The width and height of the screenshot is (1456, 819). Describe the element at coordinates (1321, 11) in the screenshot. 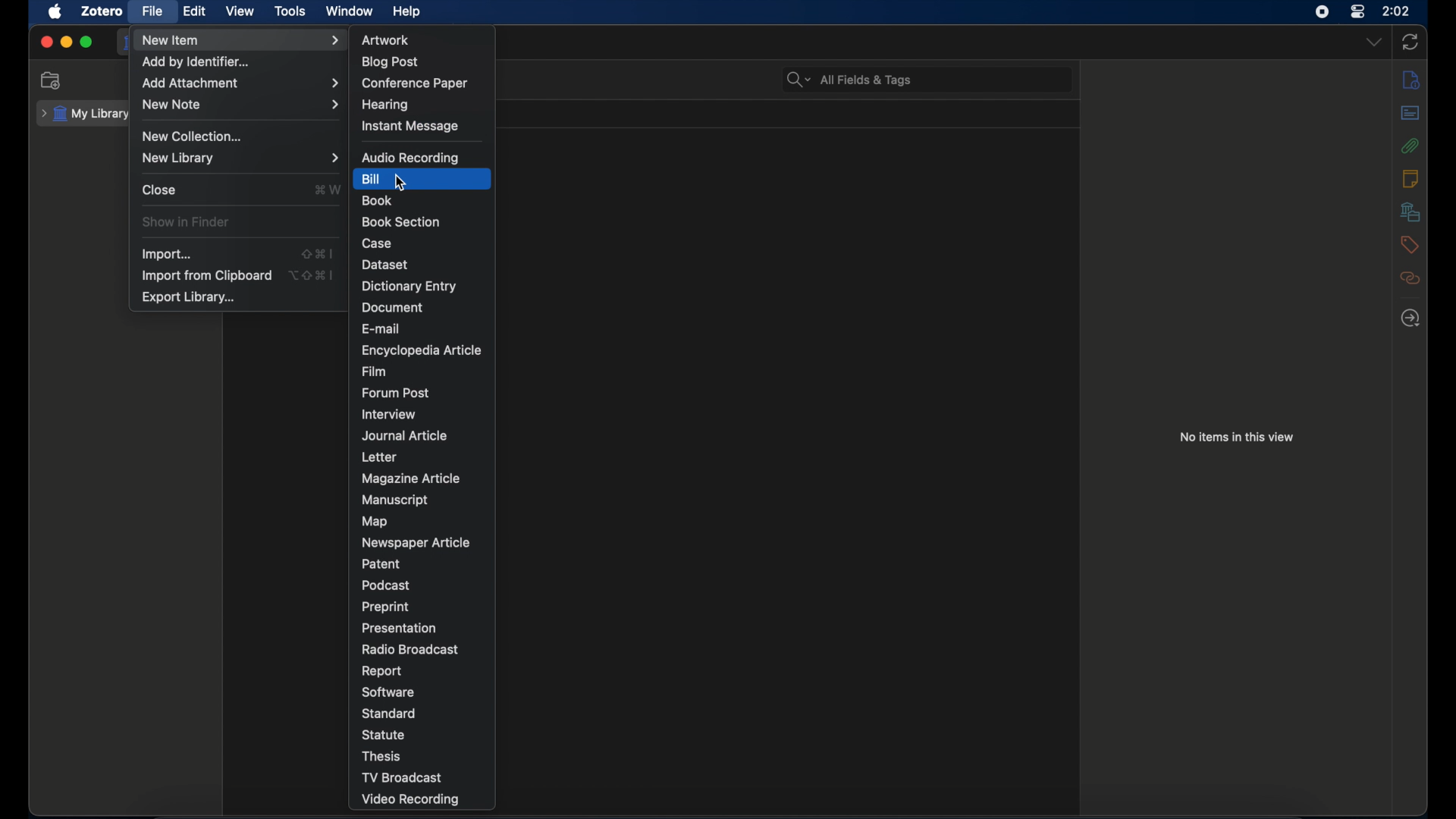

I see `screen recorder` at that location.